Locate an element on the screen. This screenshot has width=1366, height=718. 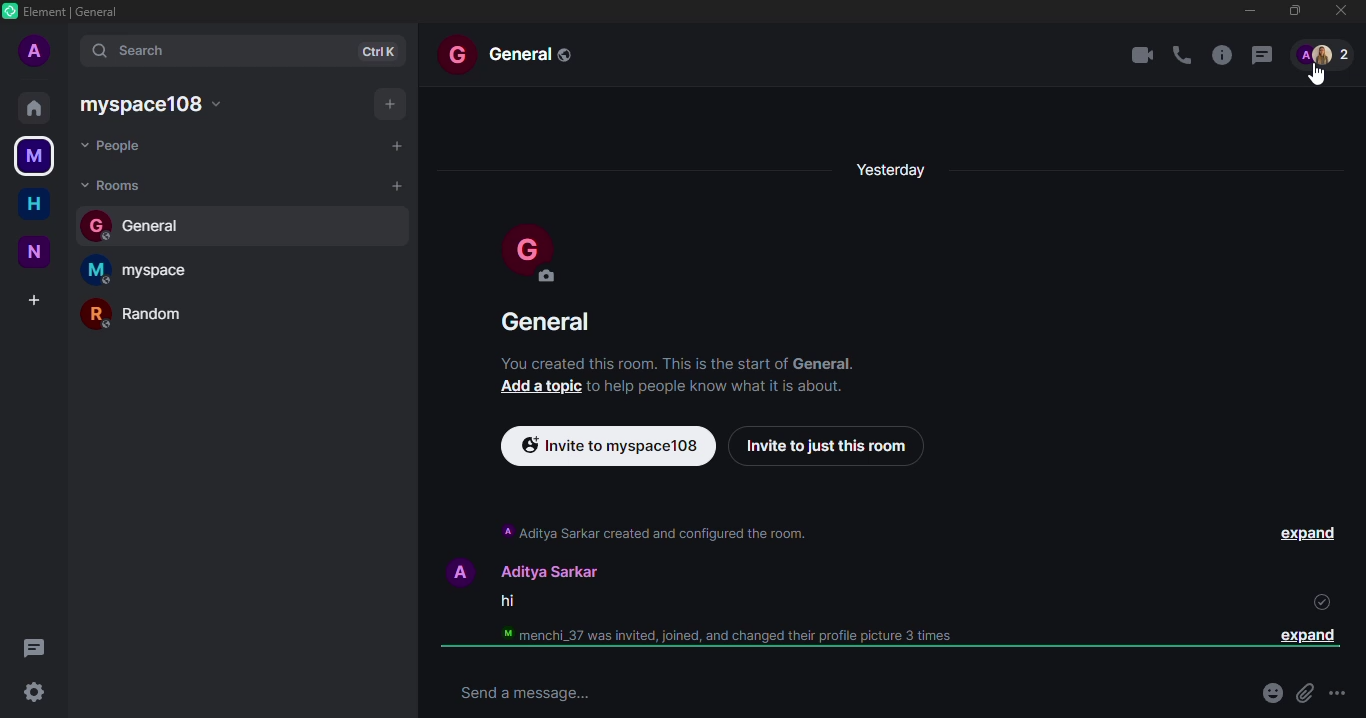
people is located at coordinates (117, 145).